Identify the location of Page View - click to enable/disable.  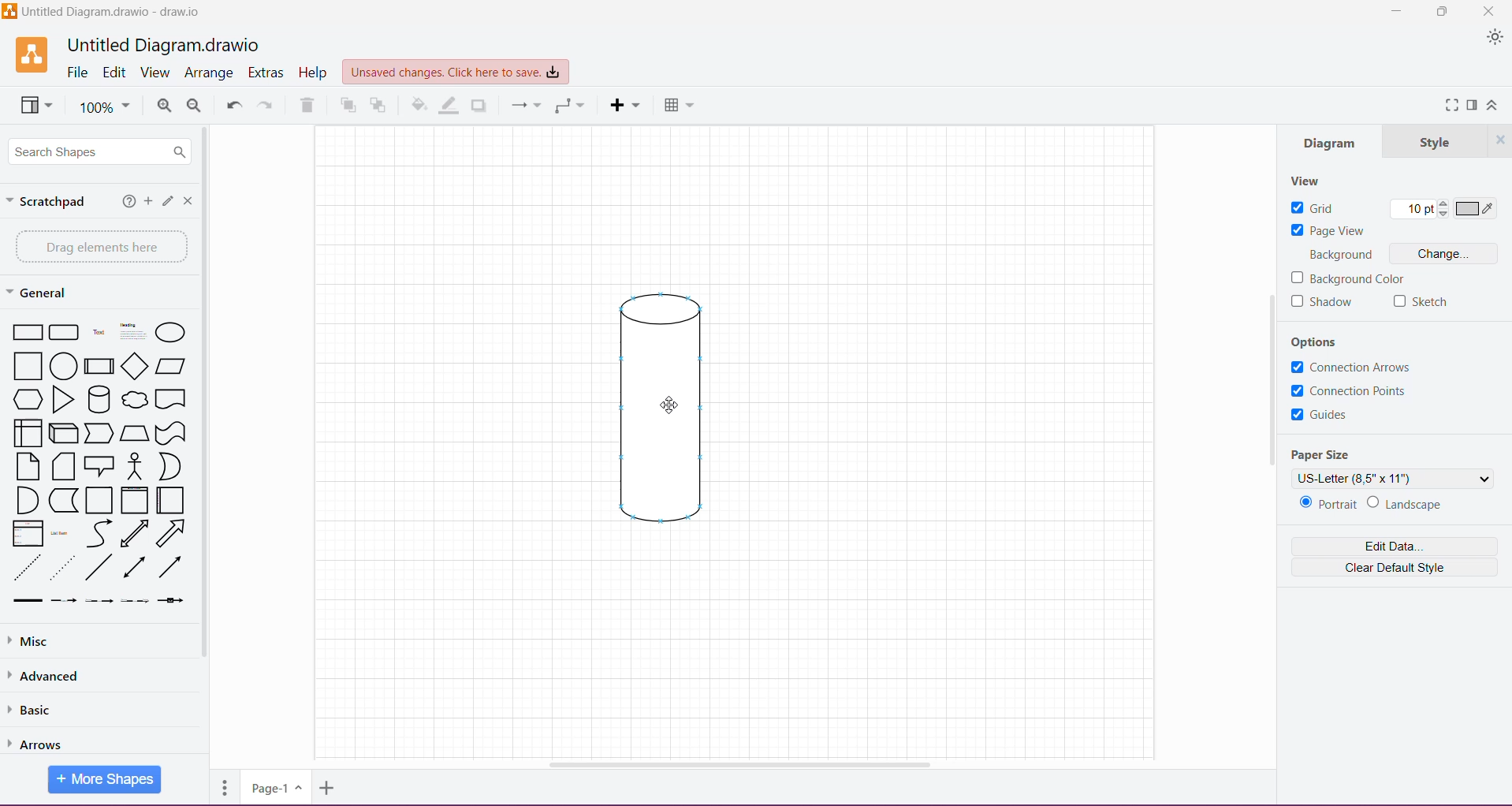
(1328, 231).